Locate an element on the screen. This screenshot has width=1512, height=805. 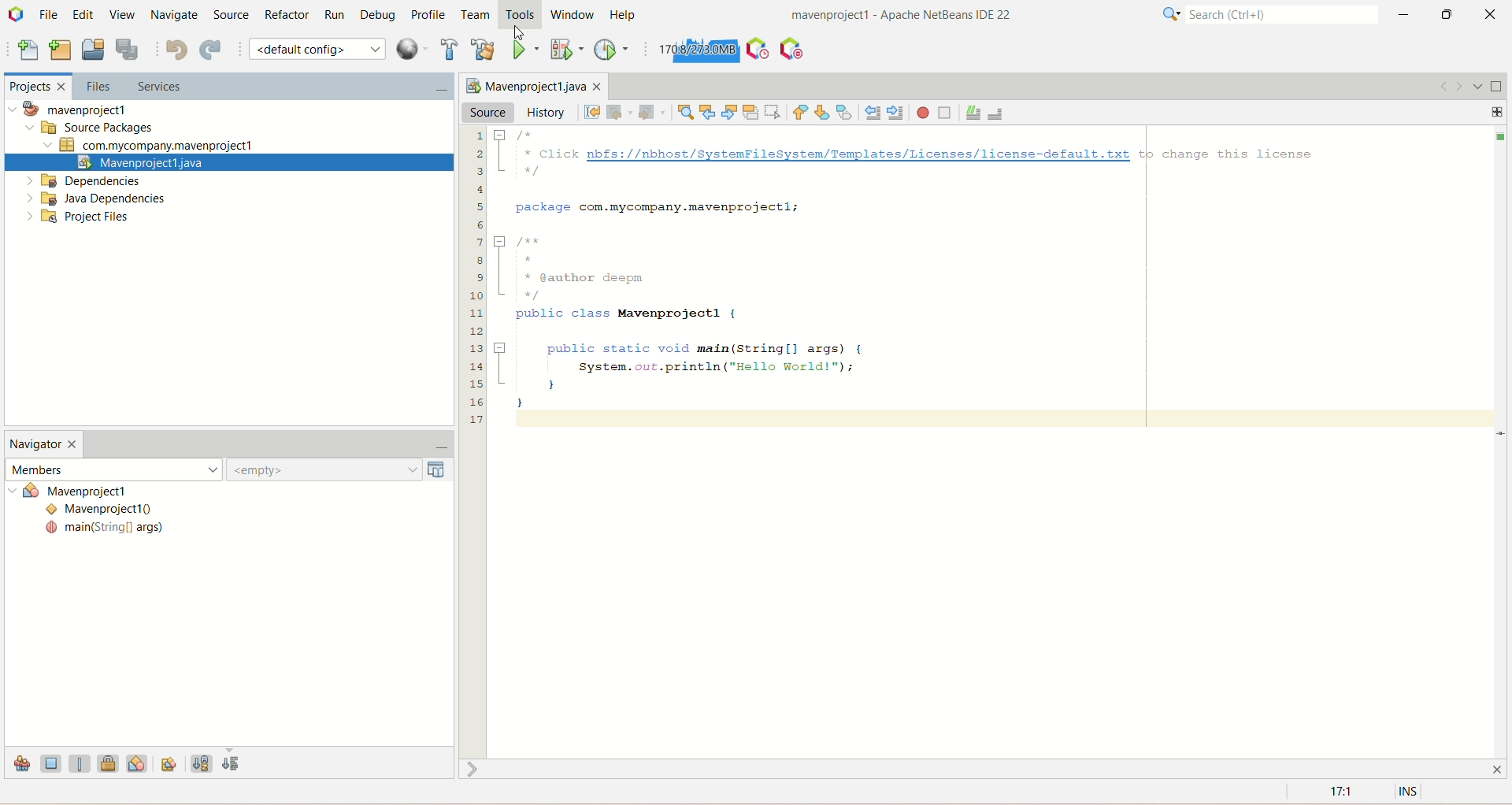
services is located at coordinates (286, 87).